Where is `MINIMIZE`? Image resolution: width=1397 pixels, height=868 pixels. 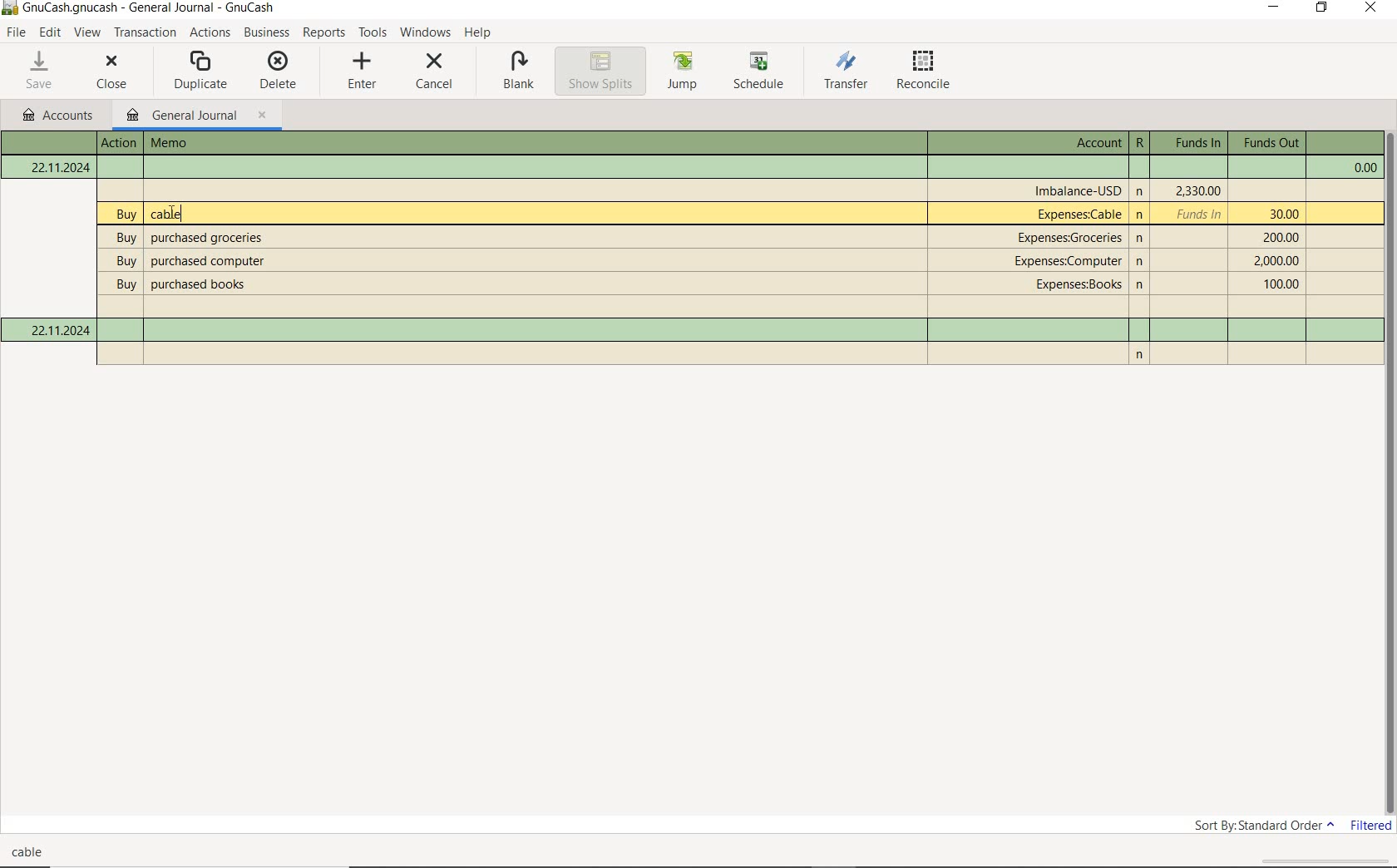
MINIMIZE is located at coordinates (1273, 7).